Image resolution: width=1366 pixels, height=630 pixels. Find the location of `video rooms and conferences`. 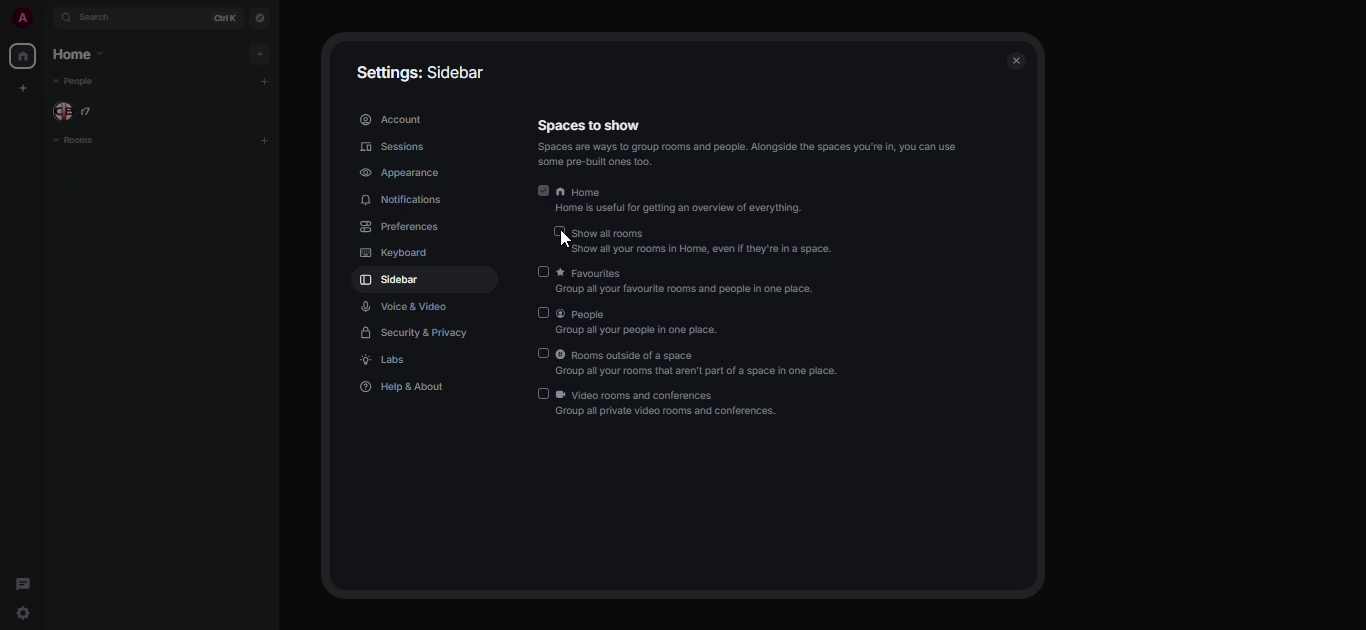

video rooms and conferences is located at coordinates (666, 406).